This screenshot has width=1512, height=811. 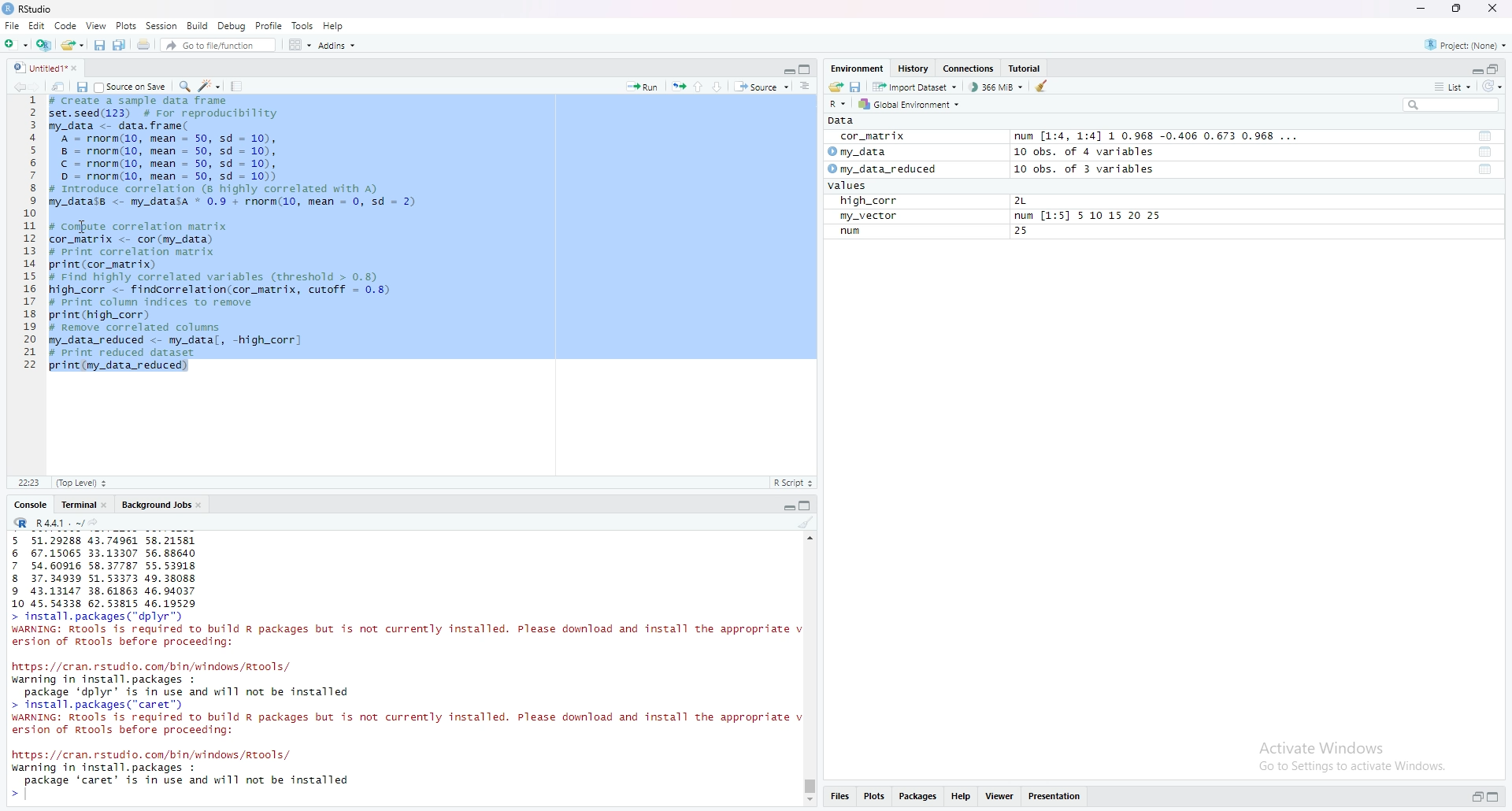 What do you see at coordinates (127, 25) in the screenshot?
I see `Plots` at bounding box center [127, 25].